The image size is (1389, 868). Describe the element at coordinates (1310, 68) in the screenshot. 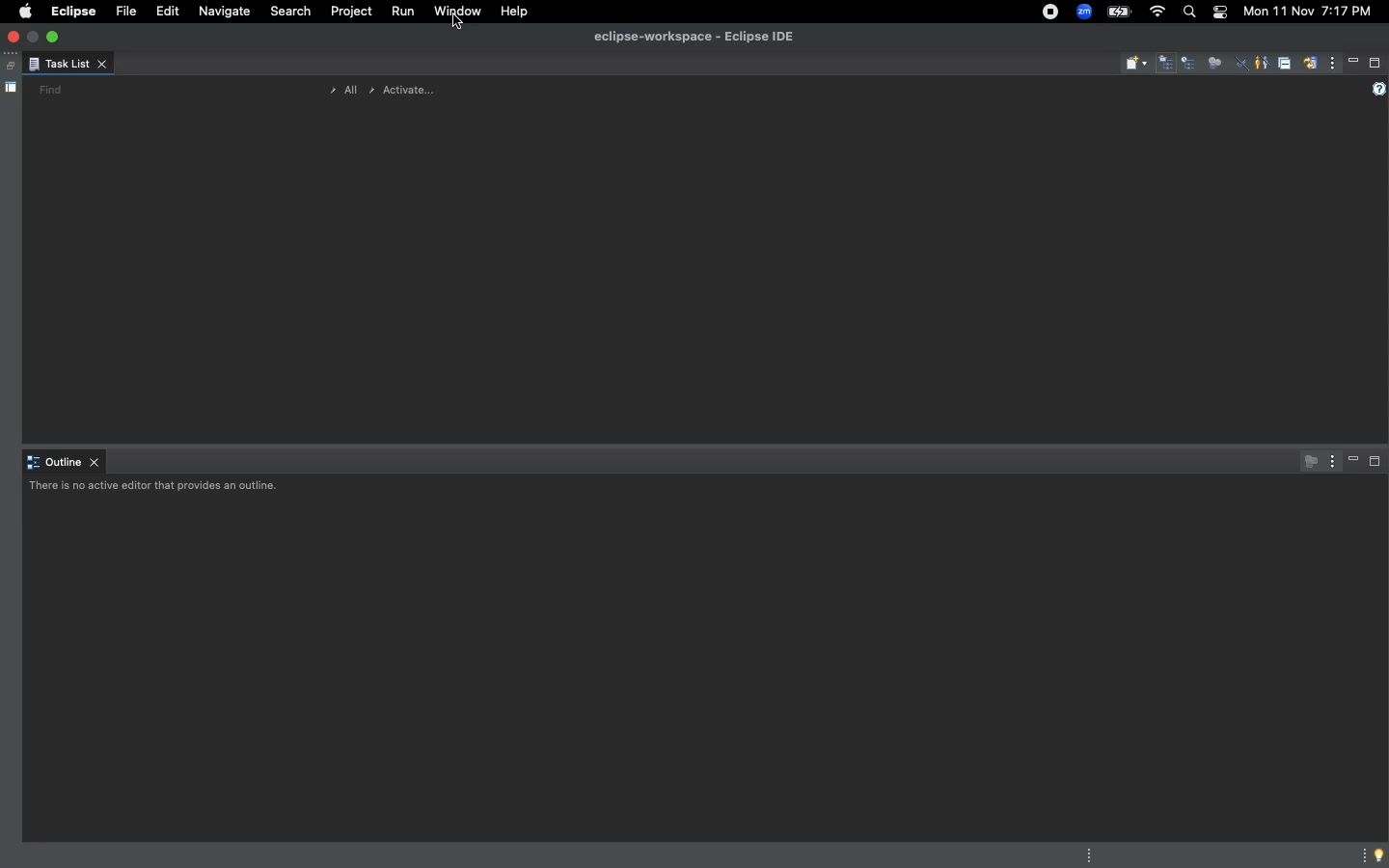

I see `Synchronized change` at that location.